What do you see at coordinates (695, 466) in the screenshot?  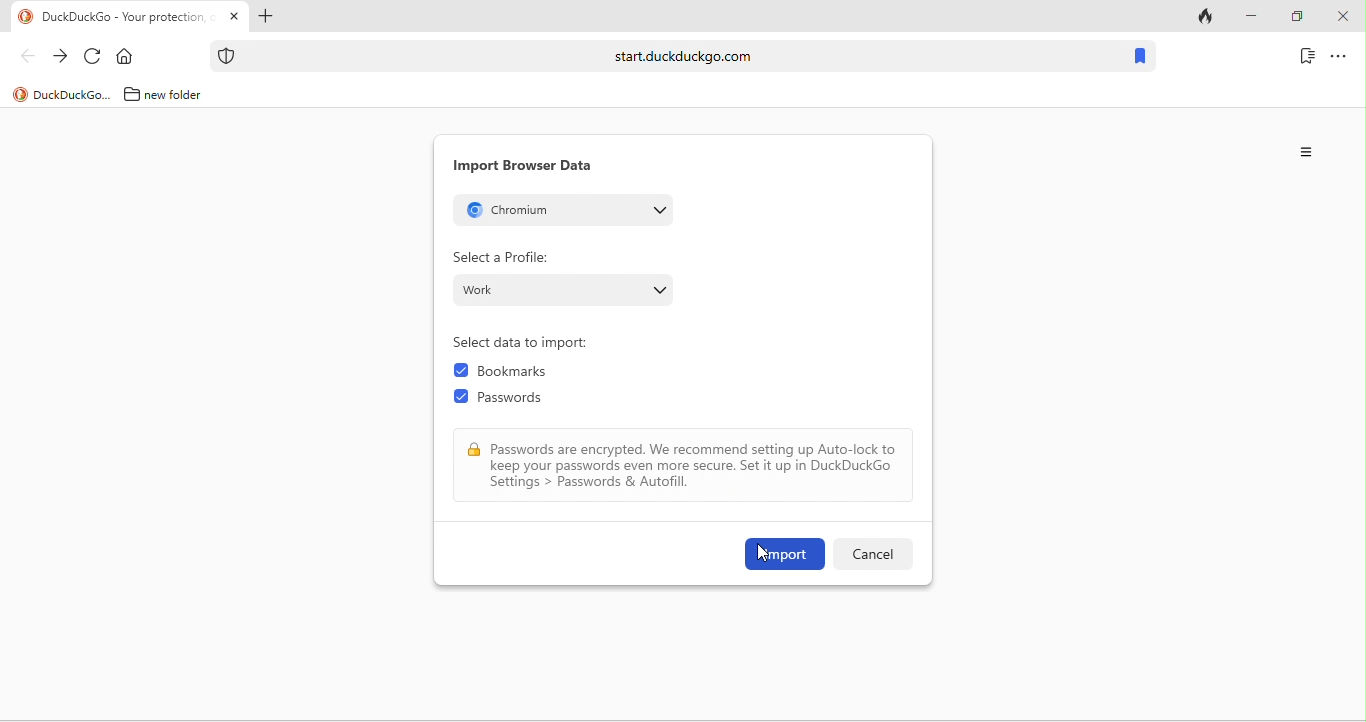 I see `Passwords are encrypted. We recommend setting up Auto-lock to keep your passwords even more secure. Set it up in DuckDuckGo Settings > Passwords & Autofill.` at bounding box center [695, 466].